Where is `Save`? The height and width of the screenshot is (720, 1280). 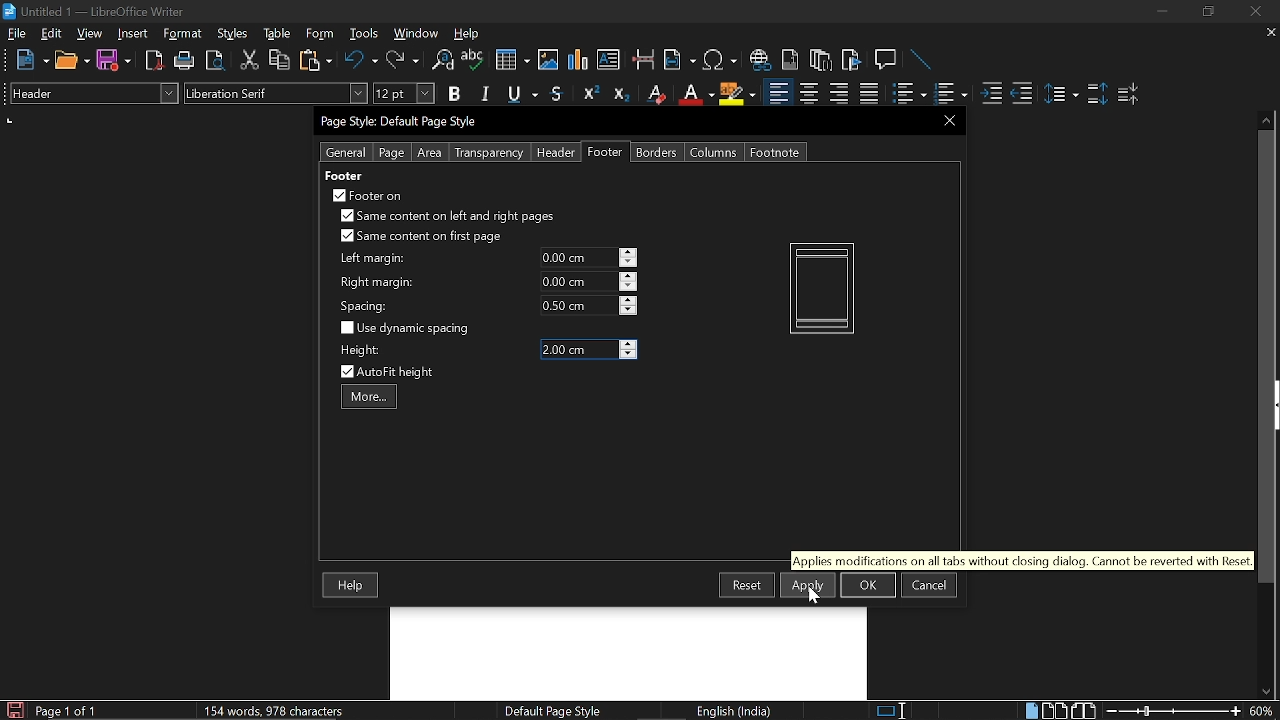
Save is located at coordinates (114, 61).